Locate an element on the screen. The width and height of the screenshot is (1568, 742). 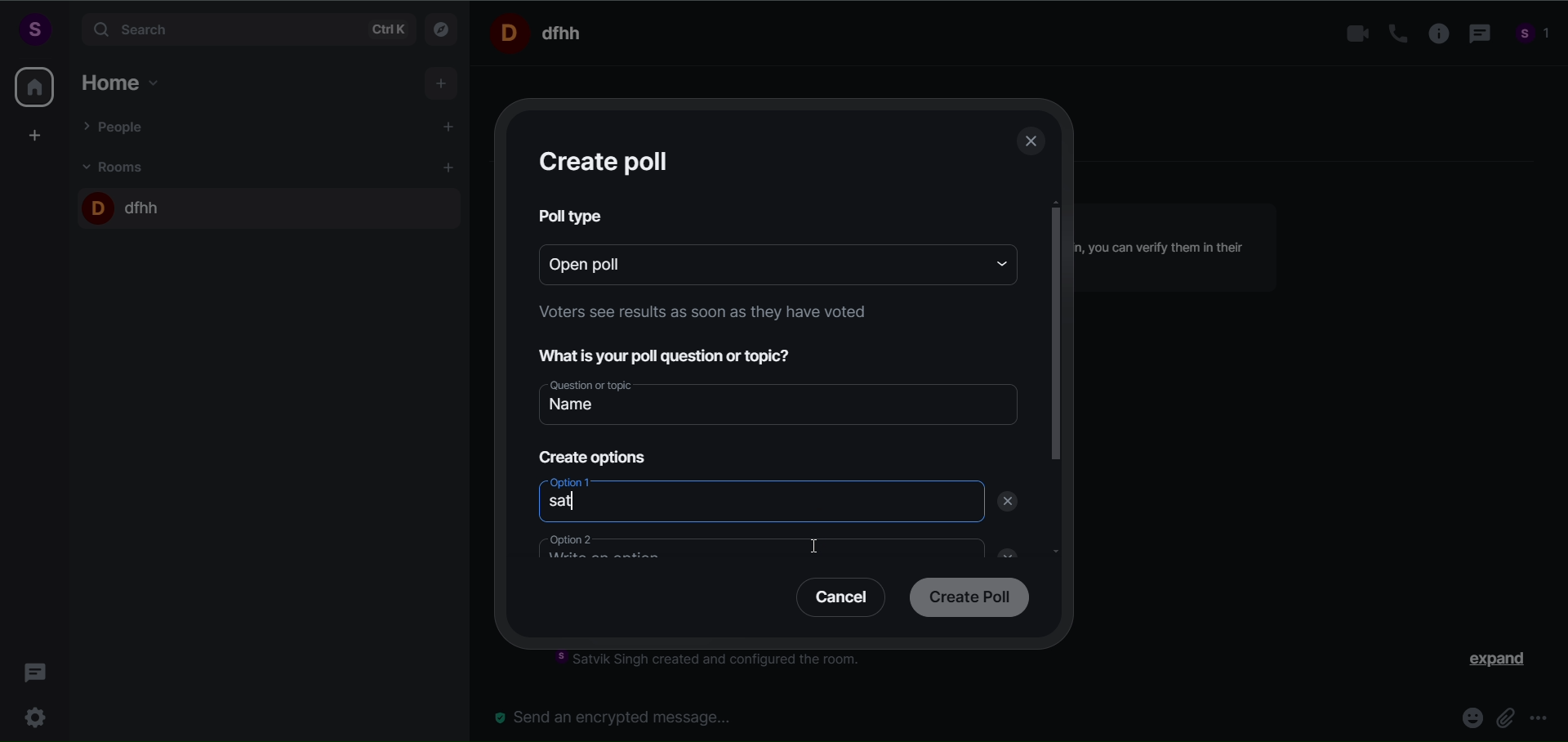
room name is located at coordinates (542, 32).